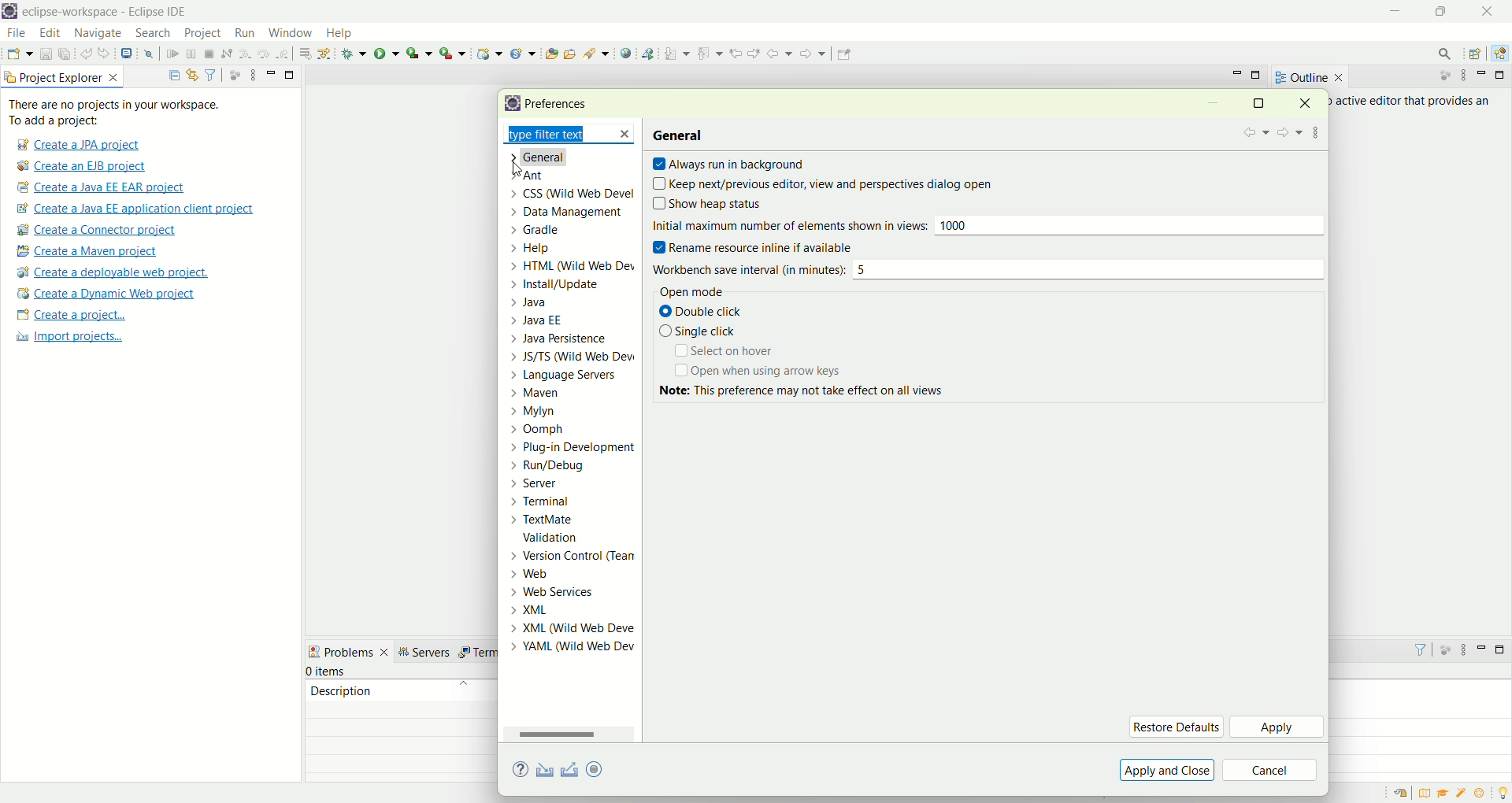 The image size is (1512, 803). What do you see at coordinates (597, 768) in the screenshot?
I see `oomph preference` at bounding box center [597, 768].